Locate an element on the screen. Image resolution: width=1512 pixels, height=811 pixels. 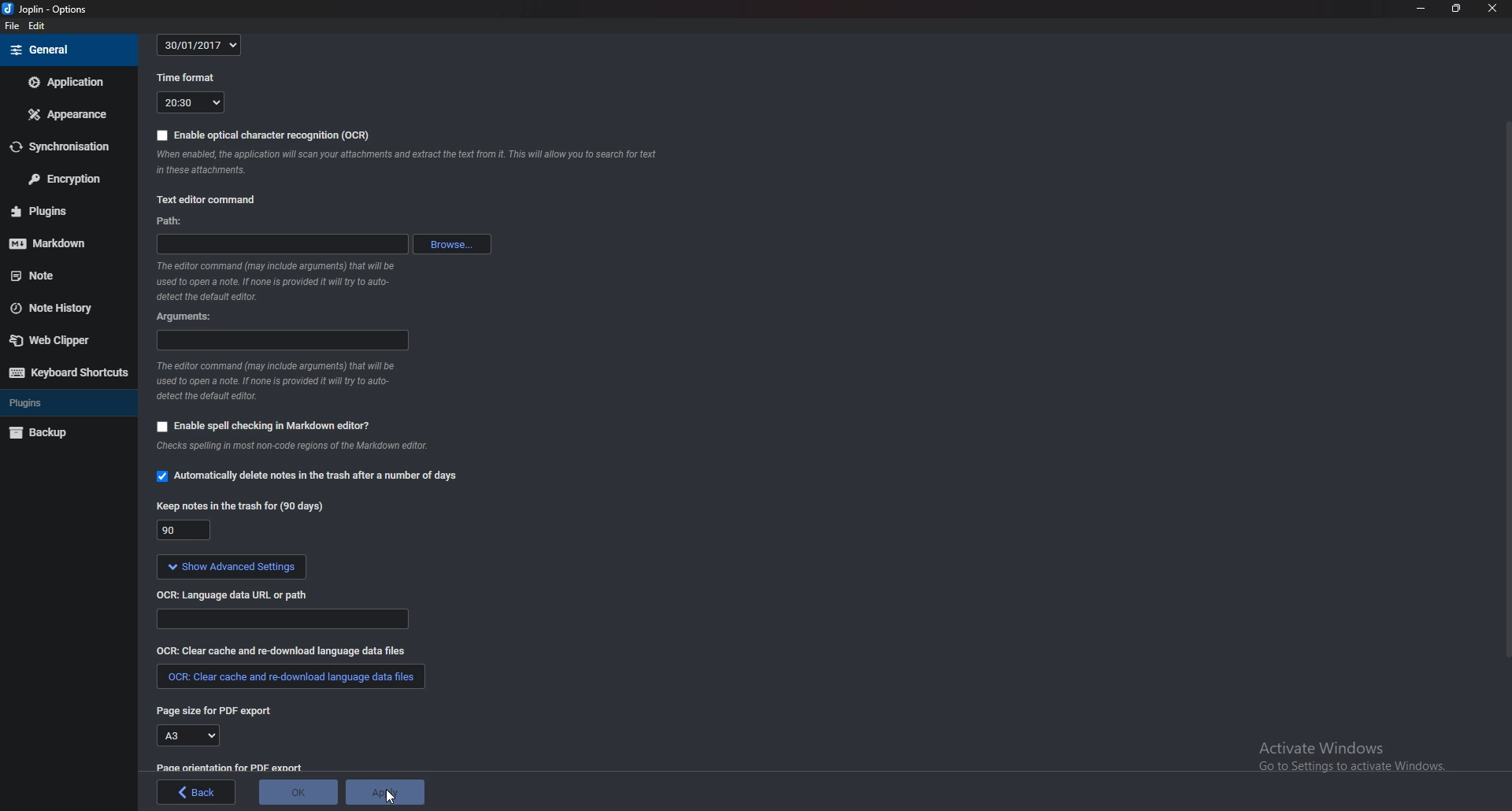
Keyboard shortcuts is located at coordinates (68, 373).